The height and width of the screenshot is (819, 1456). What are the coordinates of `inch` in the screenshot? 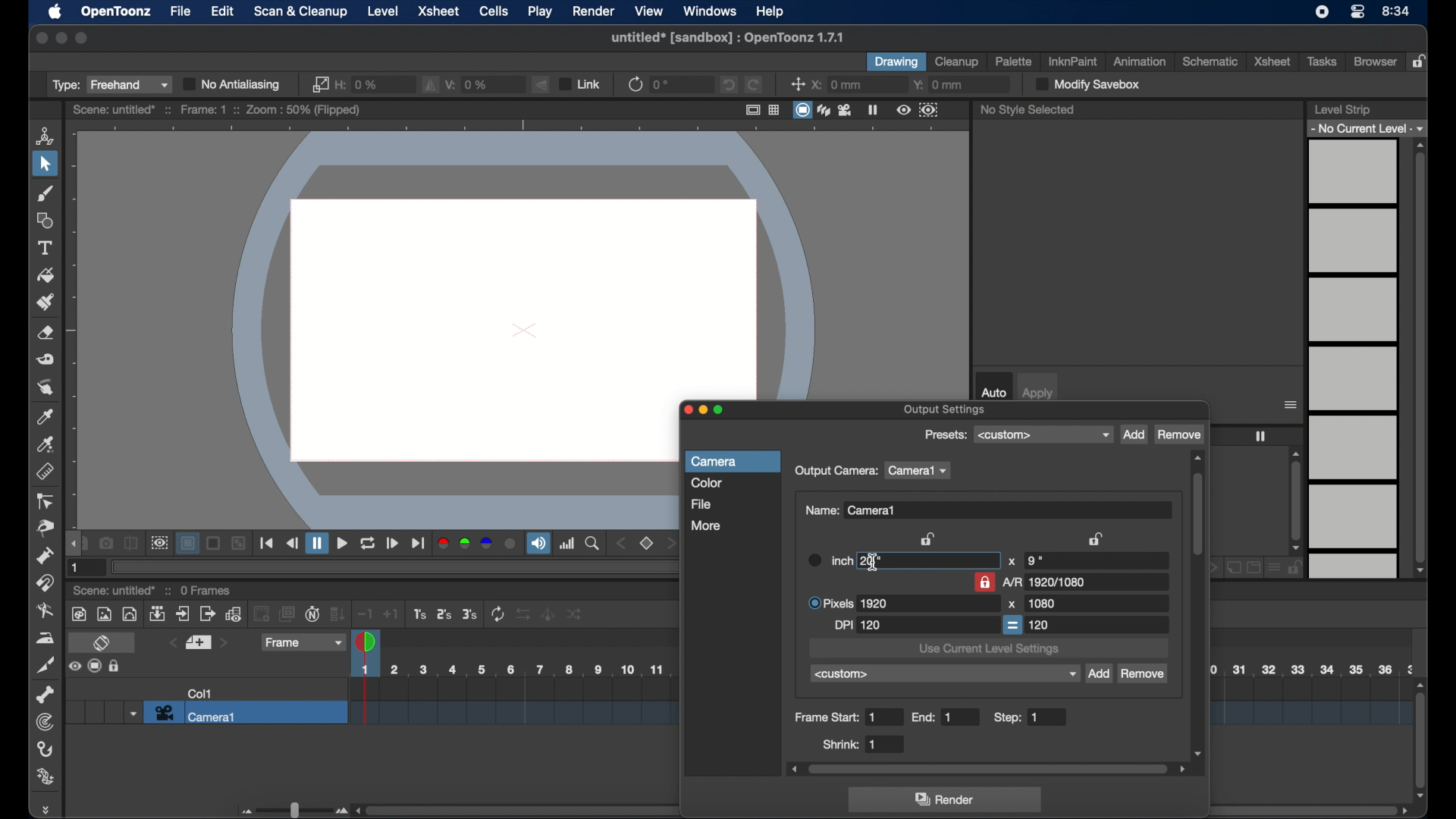 It's located at (829, 560).